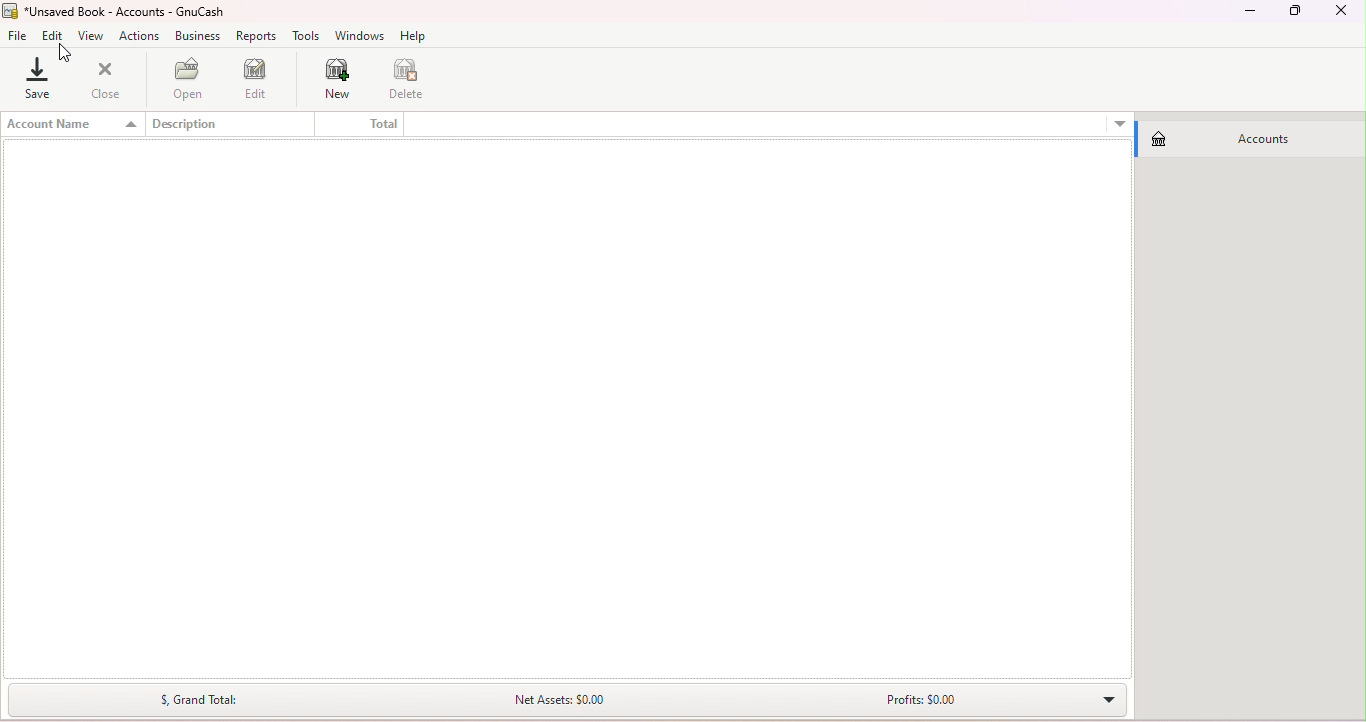  Describe the element at coordinates (231, 125) in the screenshot. I see `Description` at that location.